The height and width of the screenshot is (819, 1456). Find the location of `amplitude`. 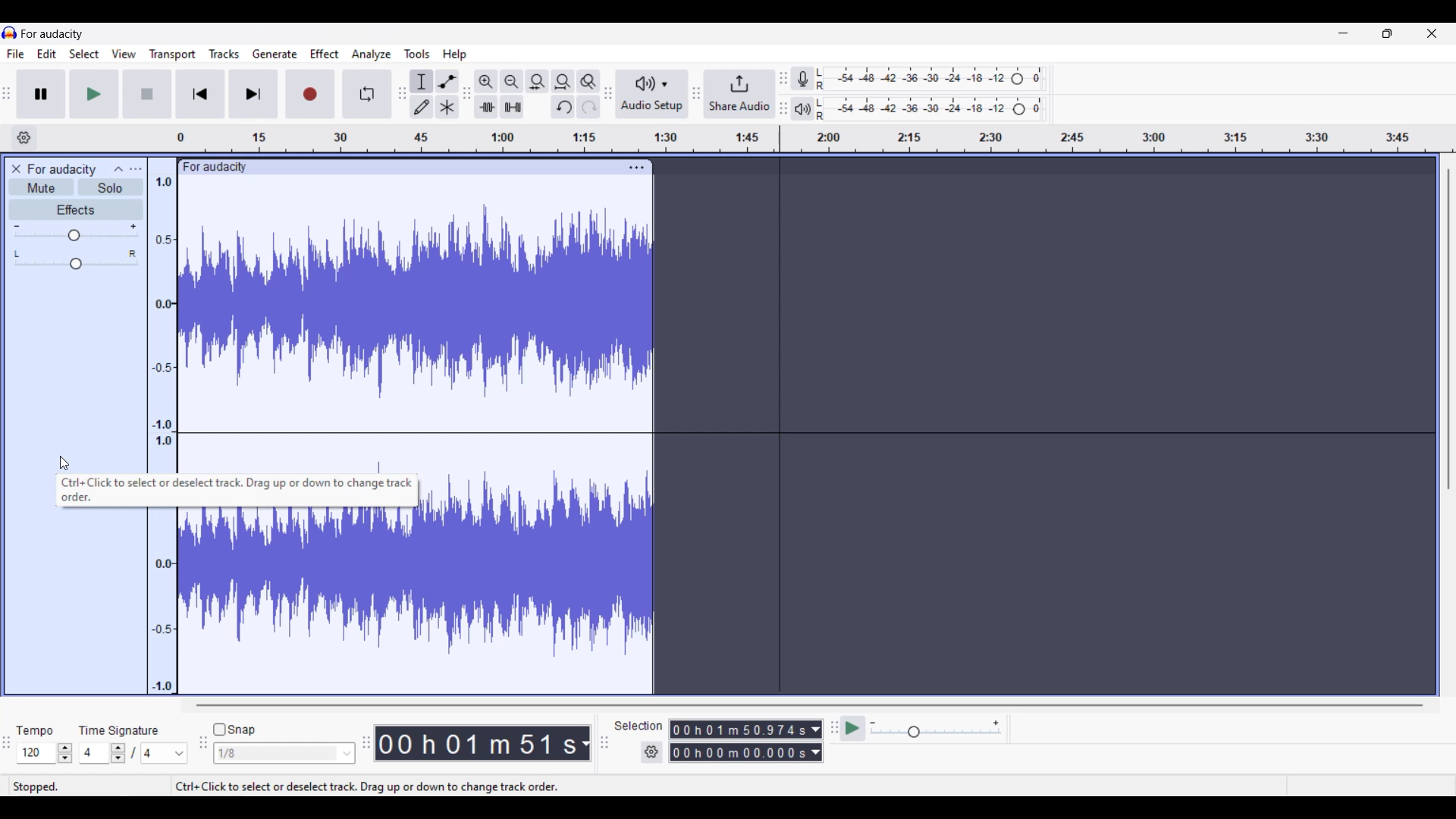

amplitude is located at coordinates (162, 602).